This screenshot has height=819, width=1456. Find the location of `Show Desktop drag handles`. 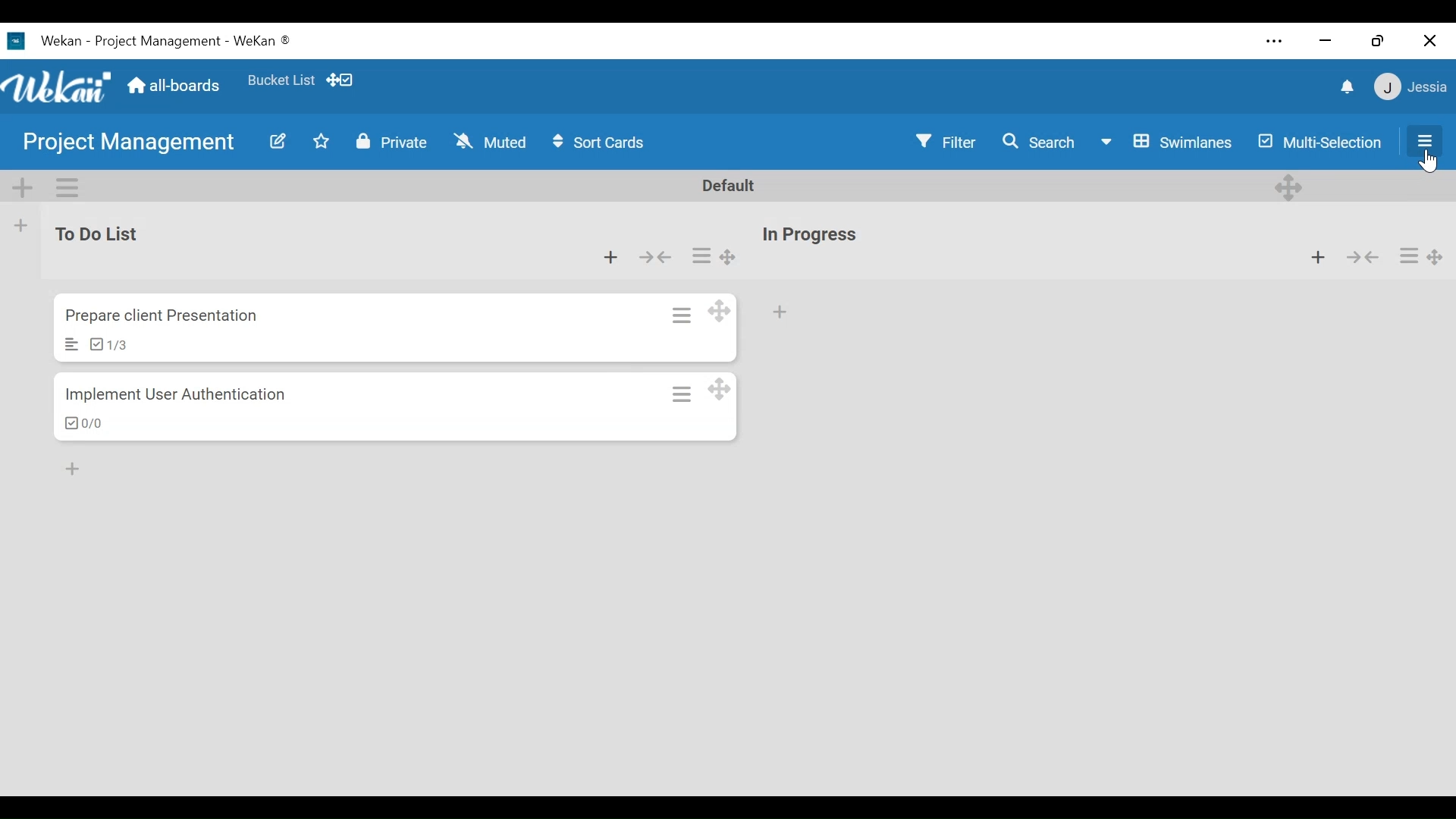

Show Desktop drag handles is located at coordinates (344, 80).